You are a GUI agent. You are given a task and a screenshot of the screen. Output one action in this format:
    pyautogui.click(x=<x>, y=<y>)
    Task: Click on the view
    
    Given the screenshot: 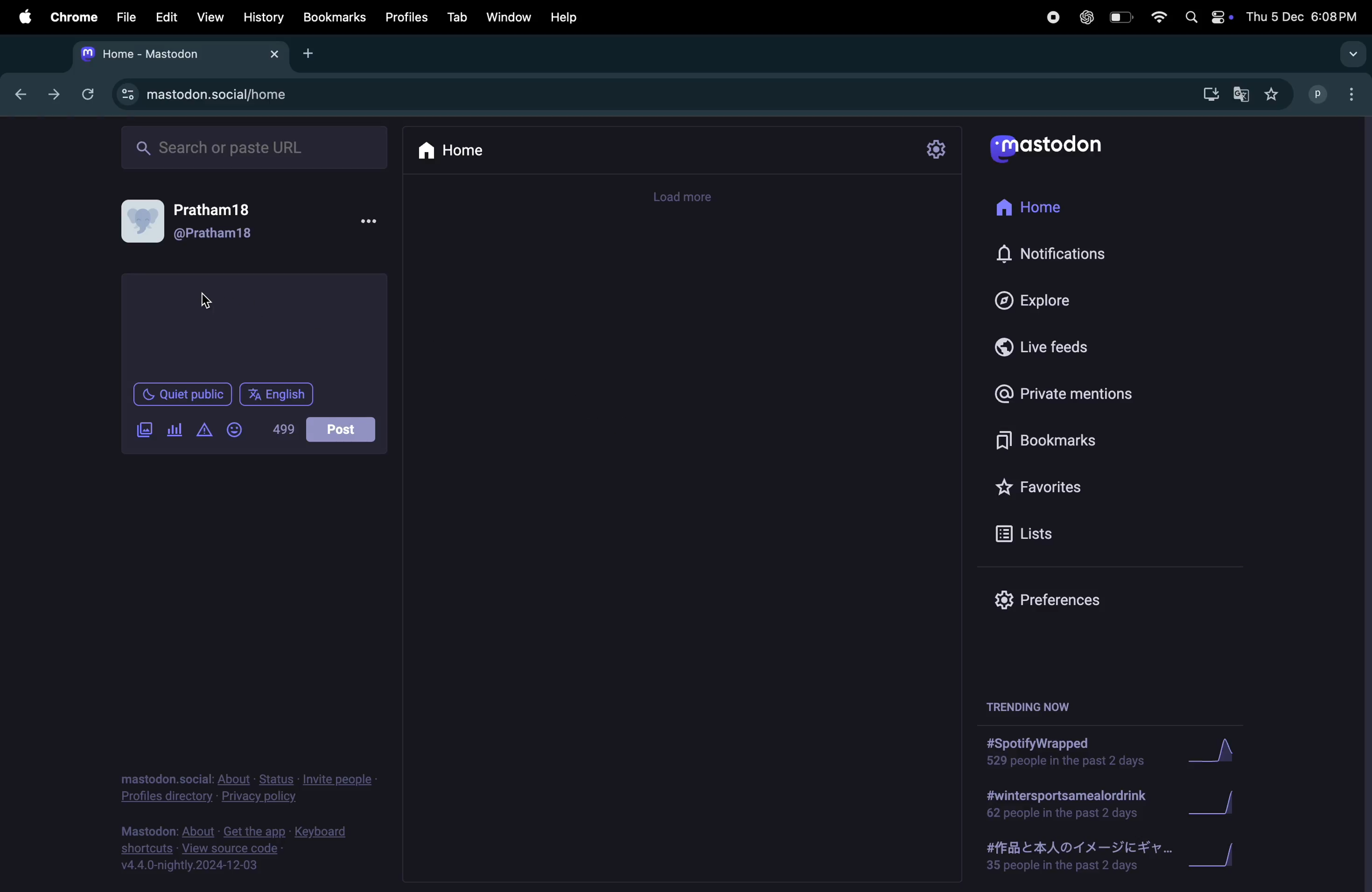 What is the action you would take?
    pyautogui.click(x=208, y=17)
    